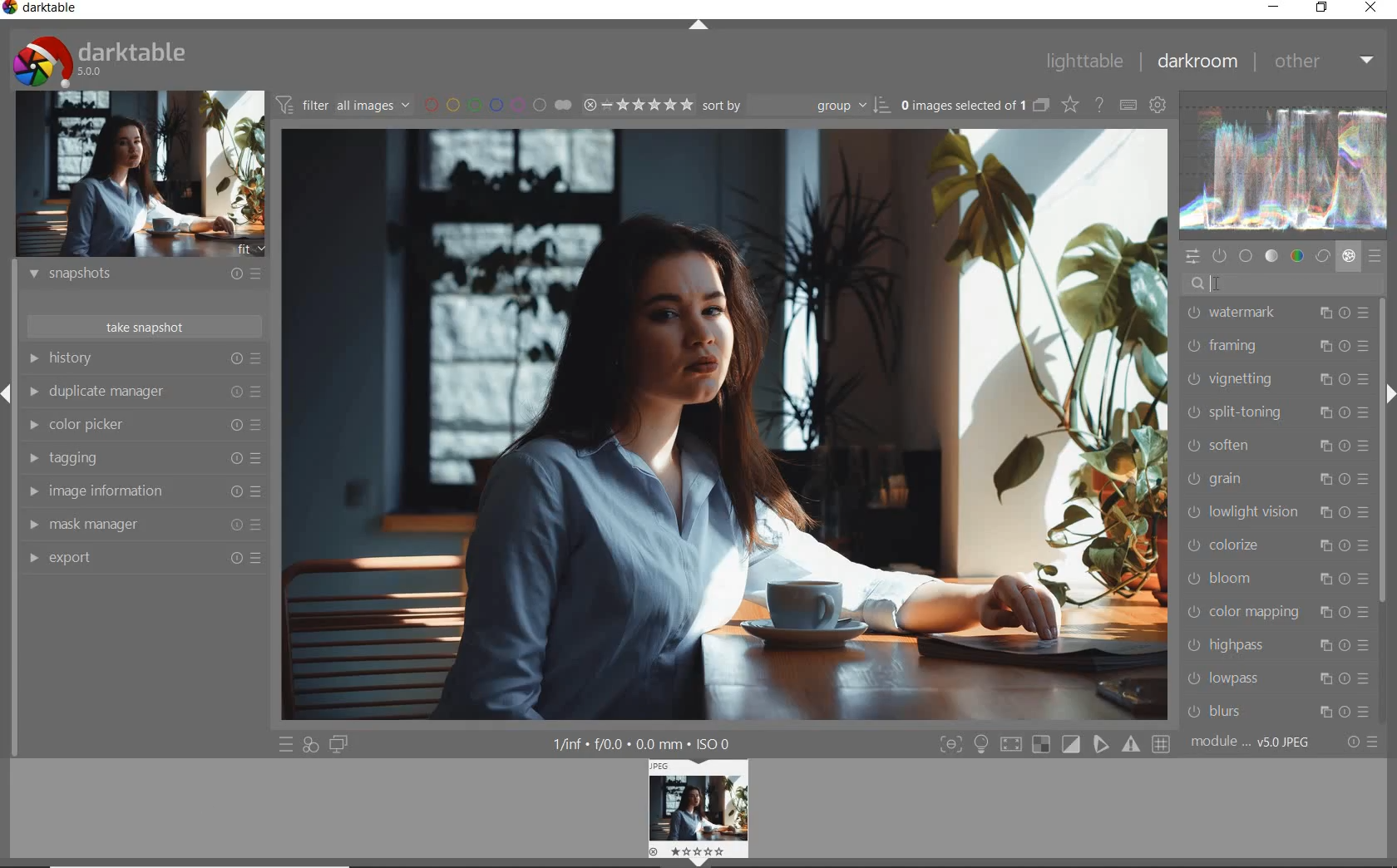 The height and width of the screenshot is (868, 1397). Describe the element at coordinates (146, 327) in the screenshot. I see `take snapshot` at that location.